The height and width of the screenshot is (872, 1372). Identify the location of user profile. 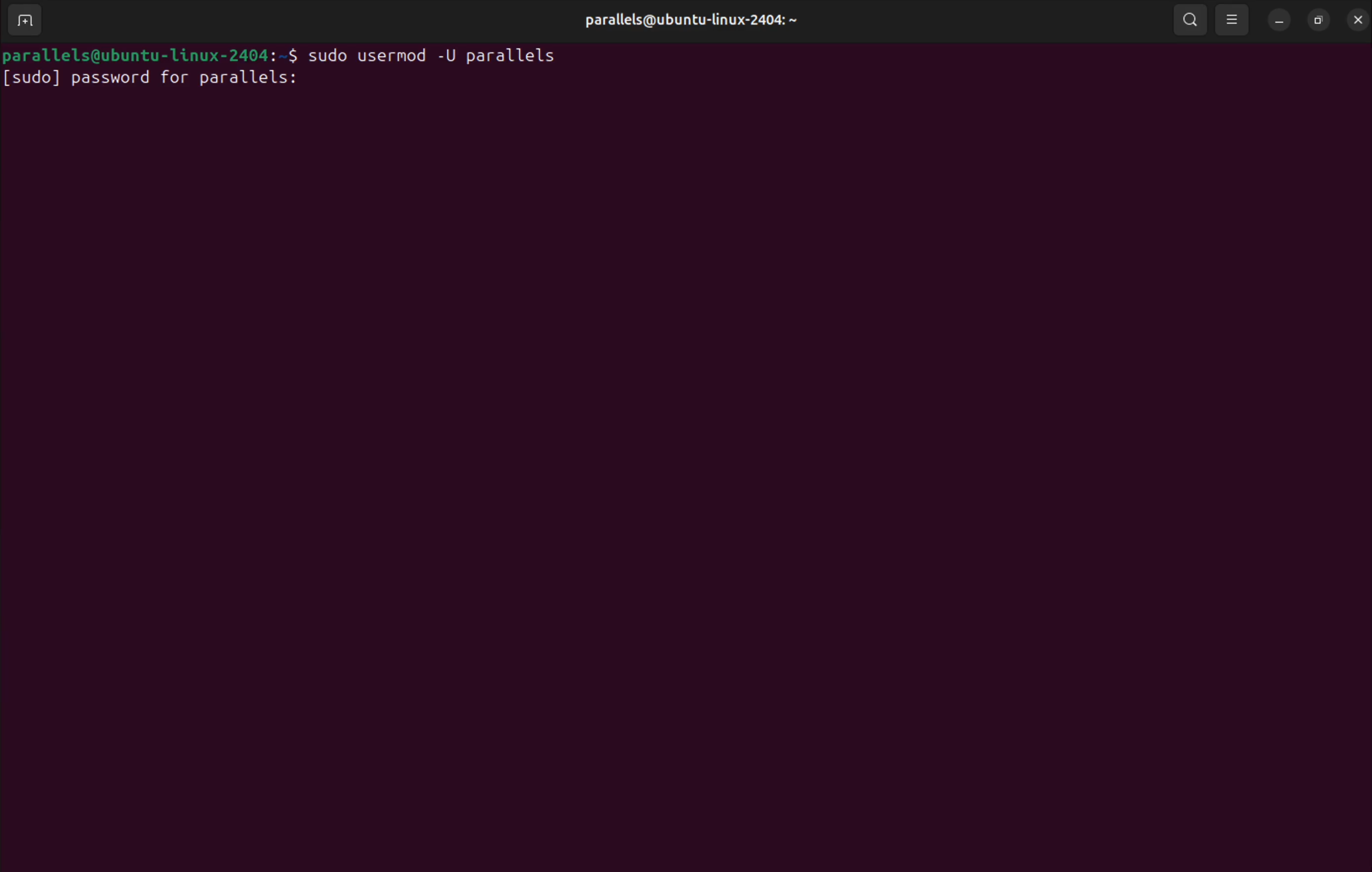
(687, 21).